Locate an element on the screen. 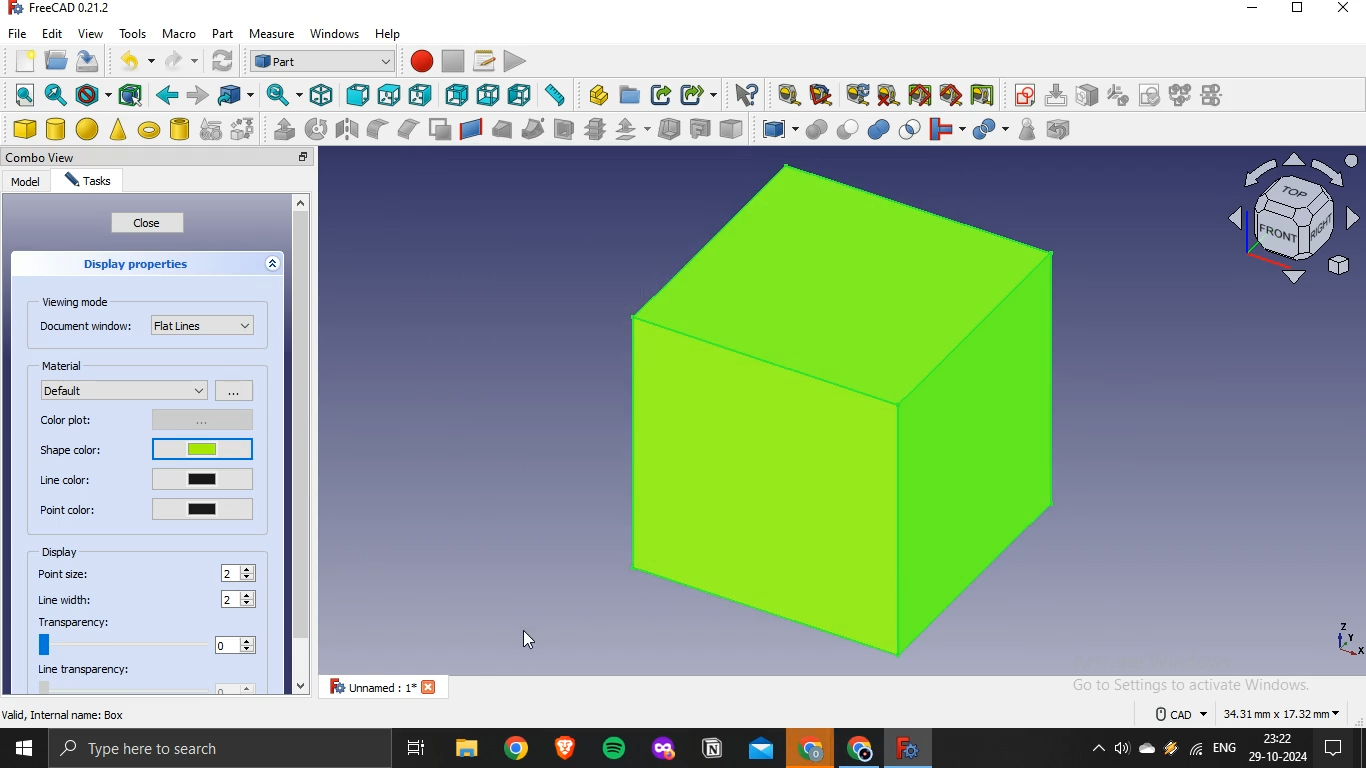  wifi is located at coordinates (1196, 752).